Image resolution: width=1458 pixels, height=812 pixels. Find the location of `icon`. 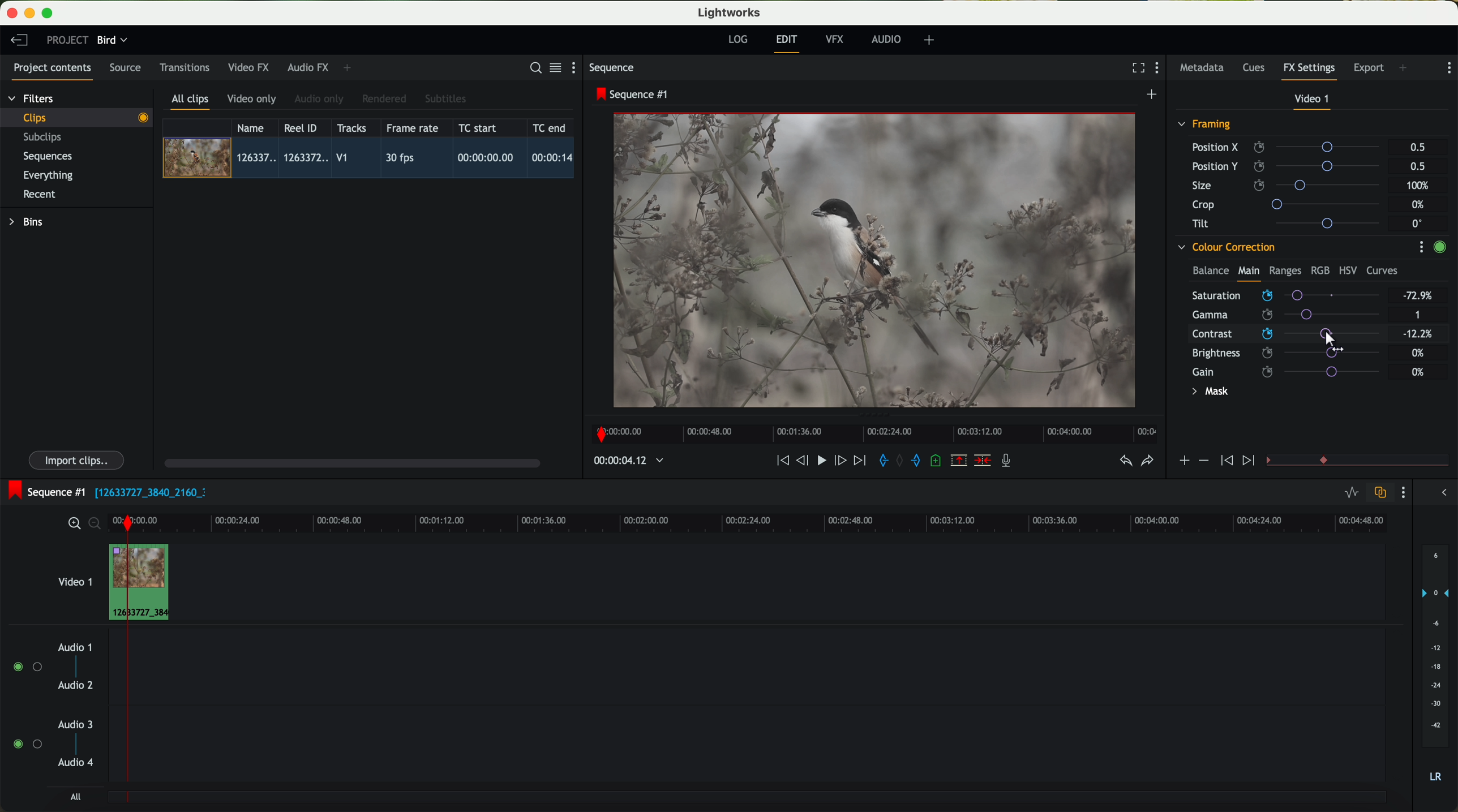

icon is located at coordinates (1250, 461).